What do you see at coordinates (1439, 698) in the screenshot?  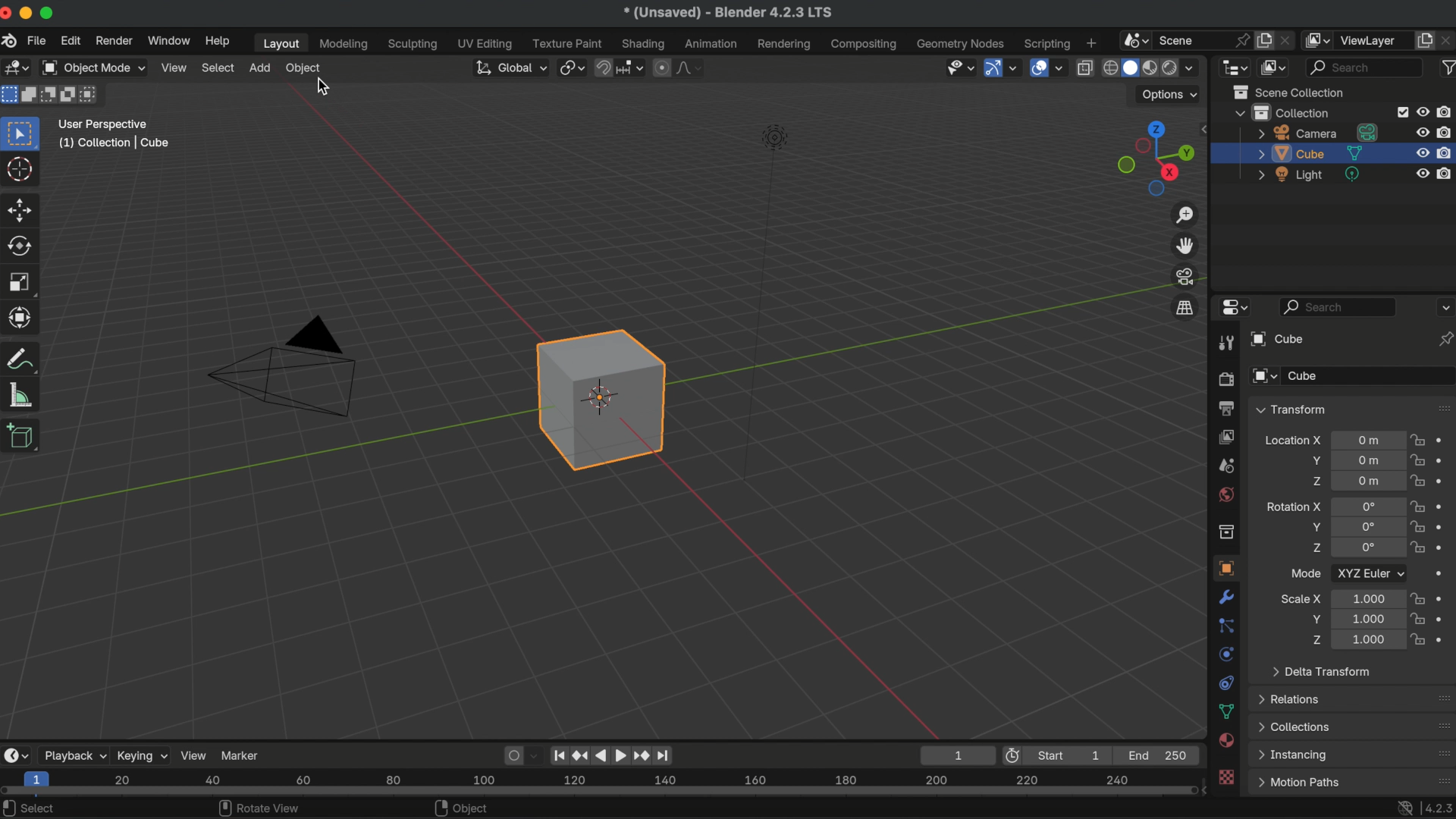 I see `drag handles` at bounding box center [1439, 698].